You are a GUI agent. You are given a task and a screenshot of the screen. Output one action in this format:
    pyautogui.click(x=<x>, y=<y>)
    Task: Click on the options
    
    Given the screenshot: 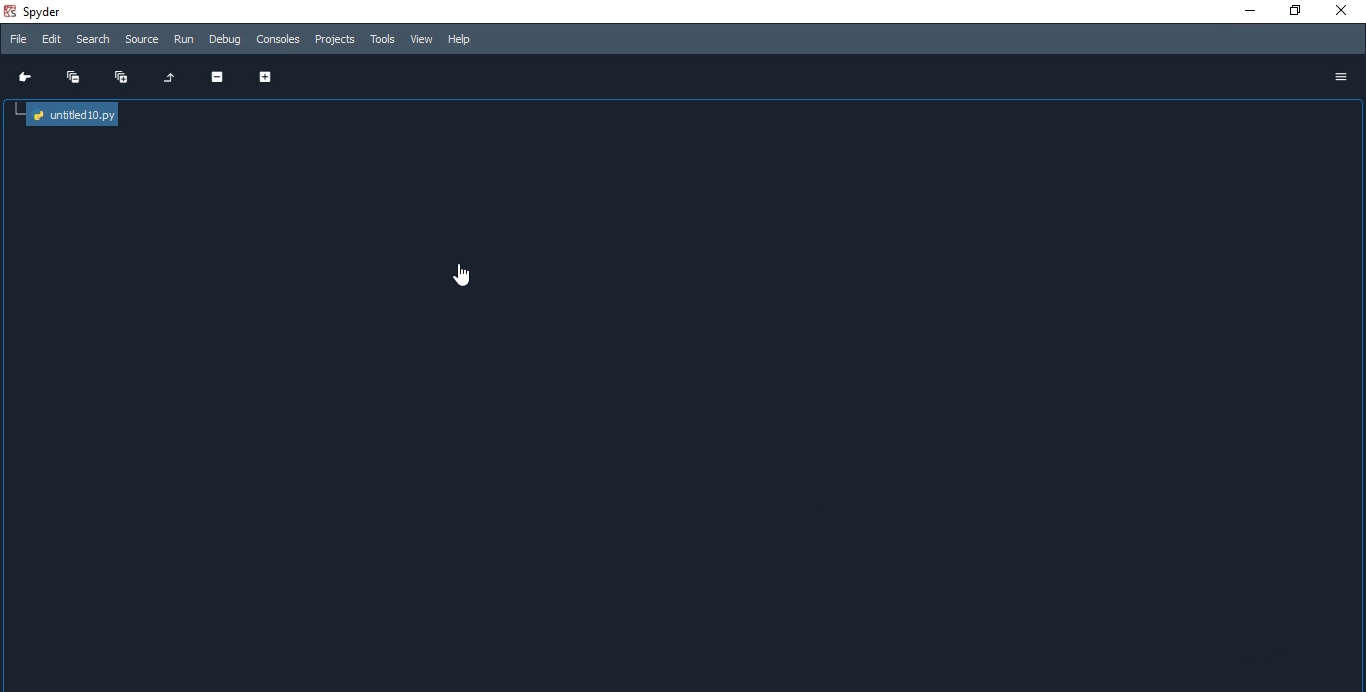 What is the action you would take?
    pyautogui.click(x=1341, y=79)
    